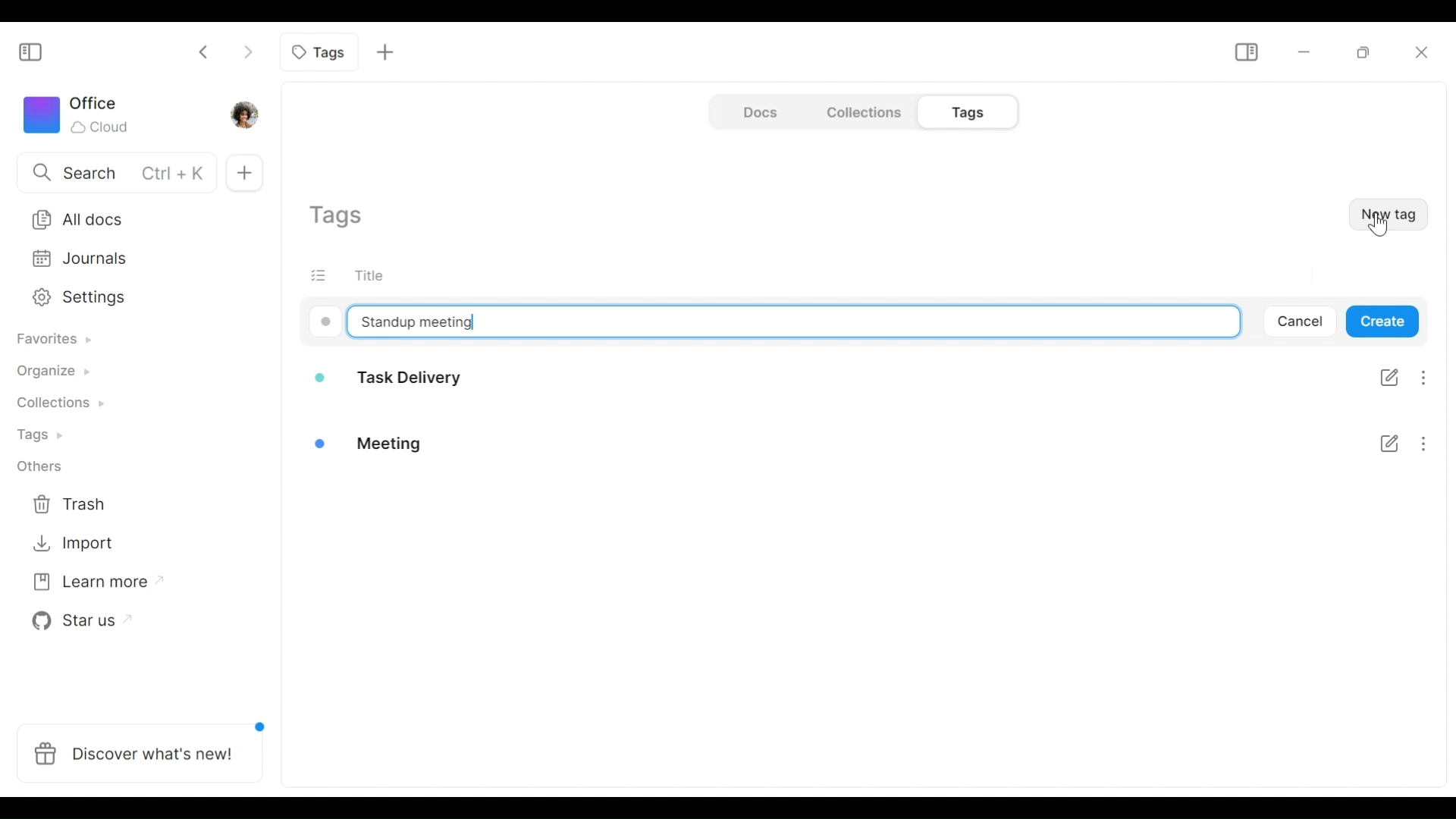 The image size is (1456, 819). What do you see at coordinates (54, 407) in the screenshot?
I see `Collections` at bounding box center [54, 407].